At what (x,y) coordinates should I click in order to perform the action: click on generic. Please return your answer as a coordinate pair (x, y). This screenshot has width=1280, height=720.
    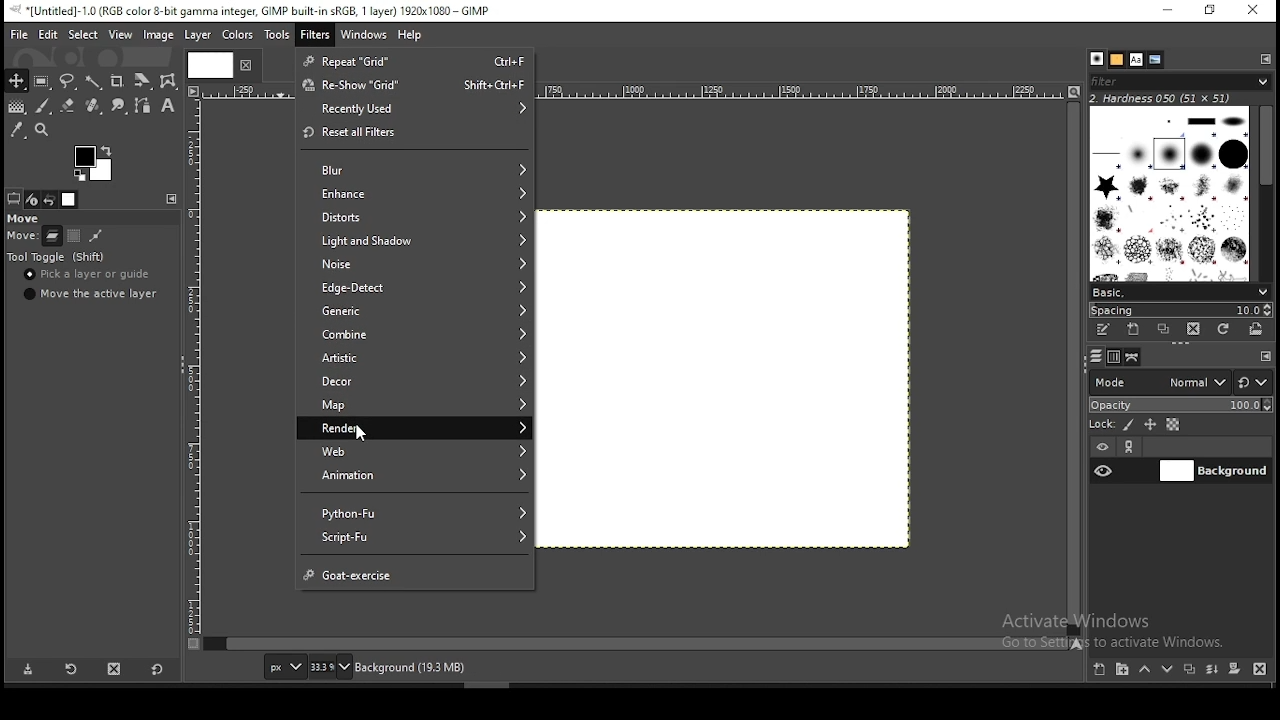
    Looking at the image, I should click on (416, 311).